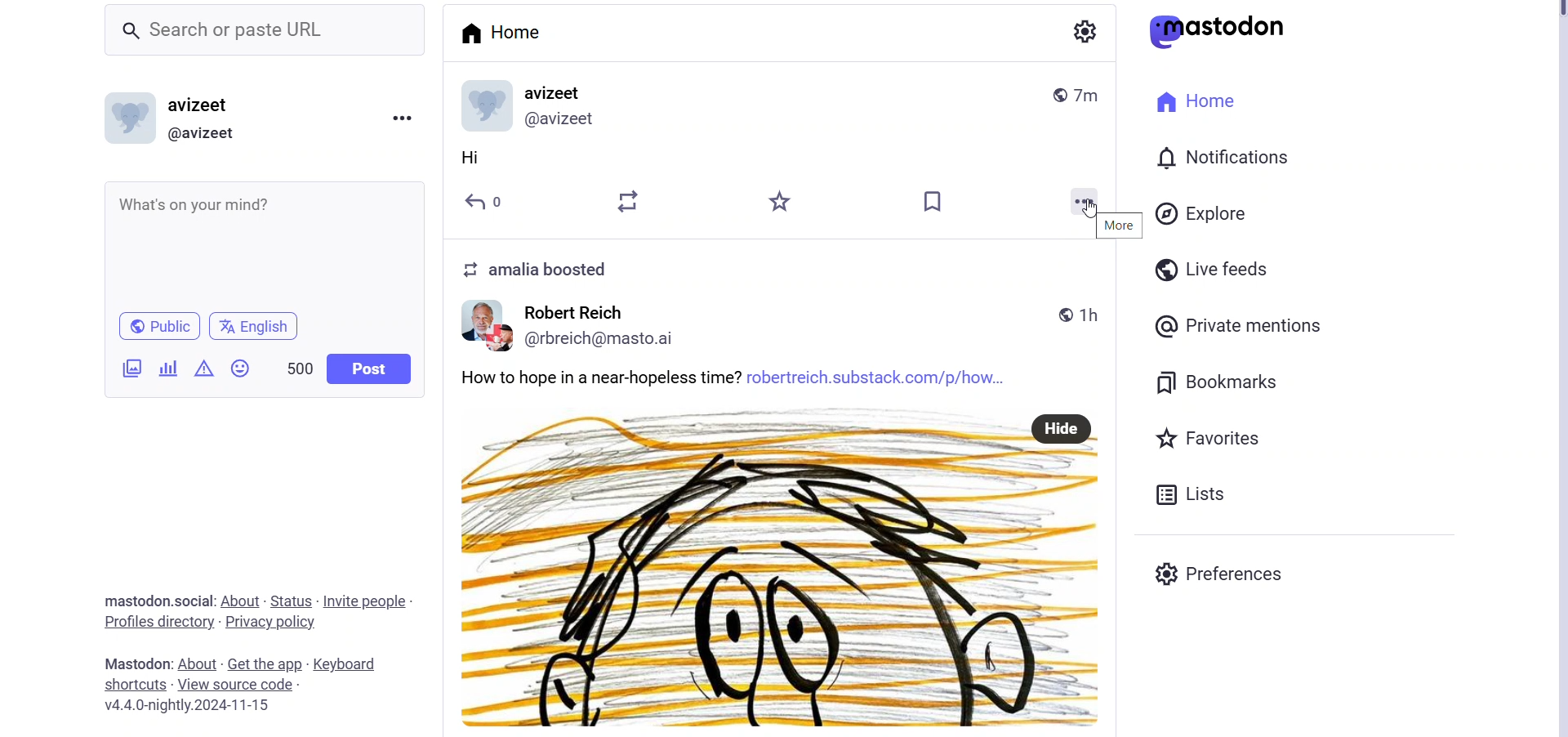 The height and width of the screenshot is (737, 1568). What do you see at coordinates (134, 663) in the screenshot?
I see `Text` at bounding box center [134, 663].